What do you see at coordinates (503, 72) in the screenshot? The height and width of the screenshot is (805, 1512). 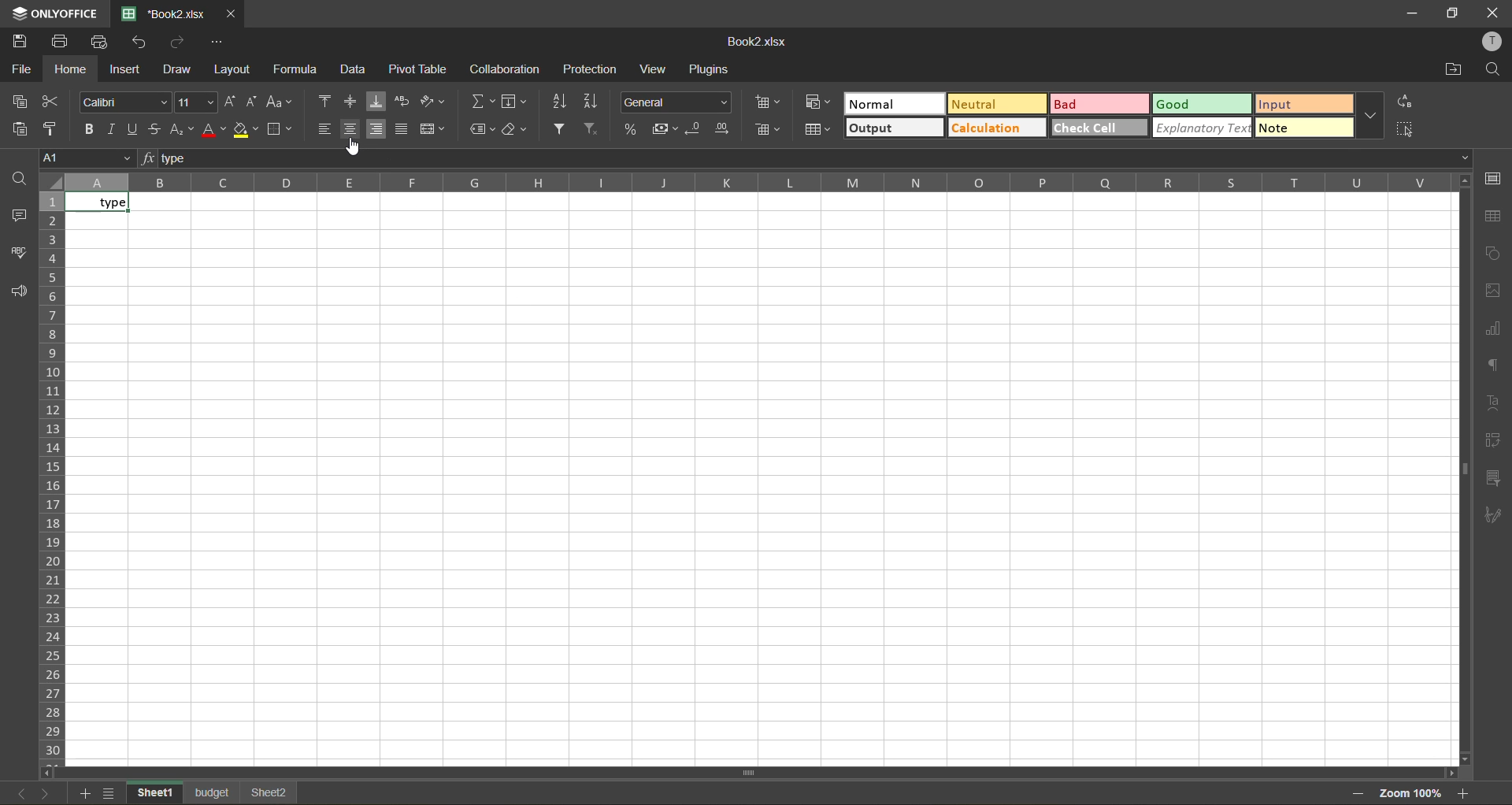 I see `collaboration` at bounding box center [503, 72].